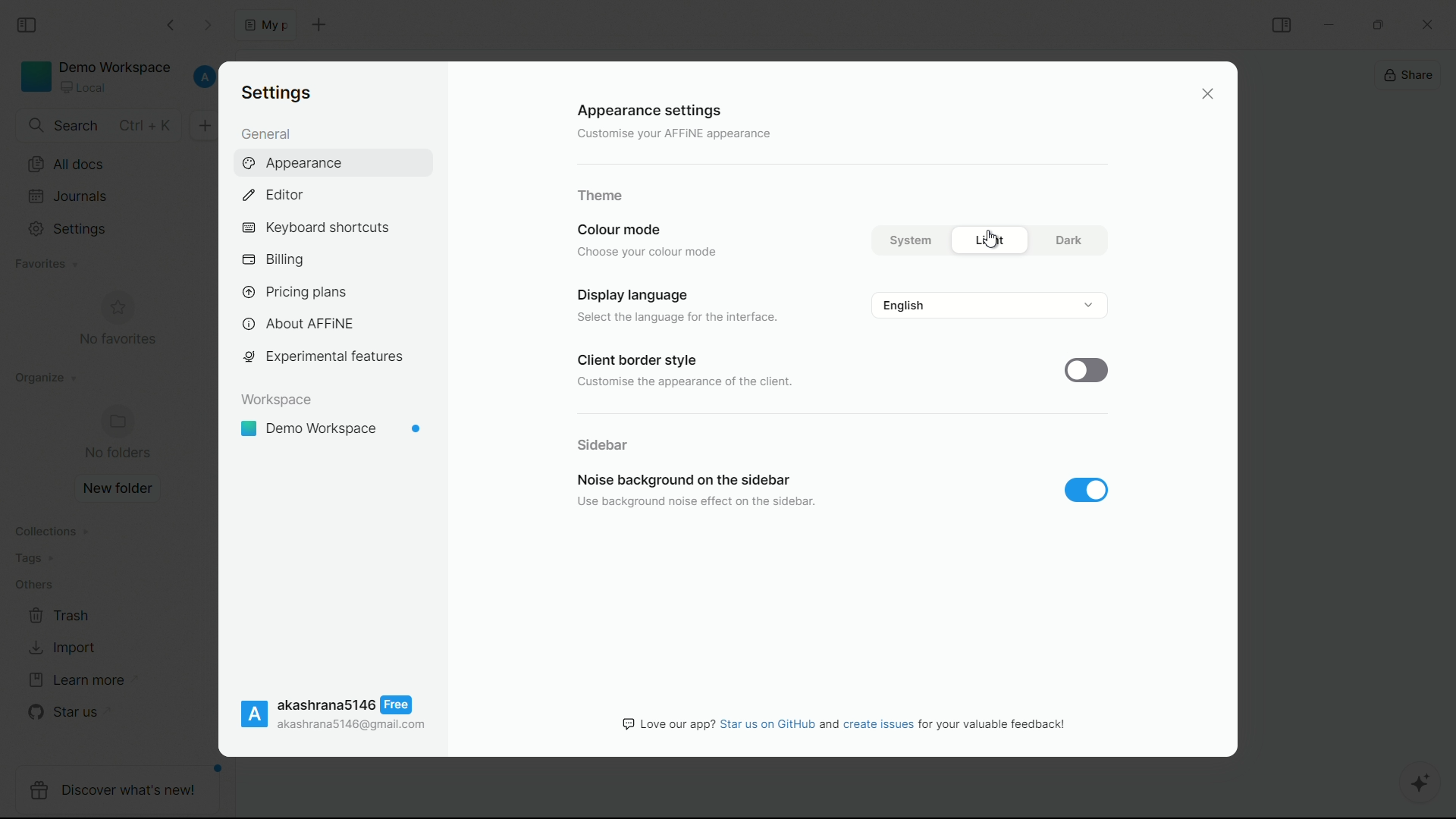 The width and height of the screenshot is (1456, 819). What do you see at coordinates (993, 240) in the screenshot?
I see `light` at bounding box center [993, 240].